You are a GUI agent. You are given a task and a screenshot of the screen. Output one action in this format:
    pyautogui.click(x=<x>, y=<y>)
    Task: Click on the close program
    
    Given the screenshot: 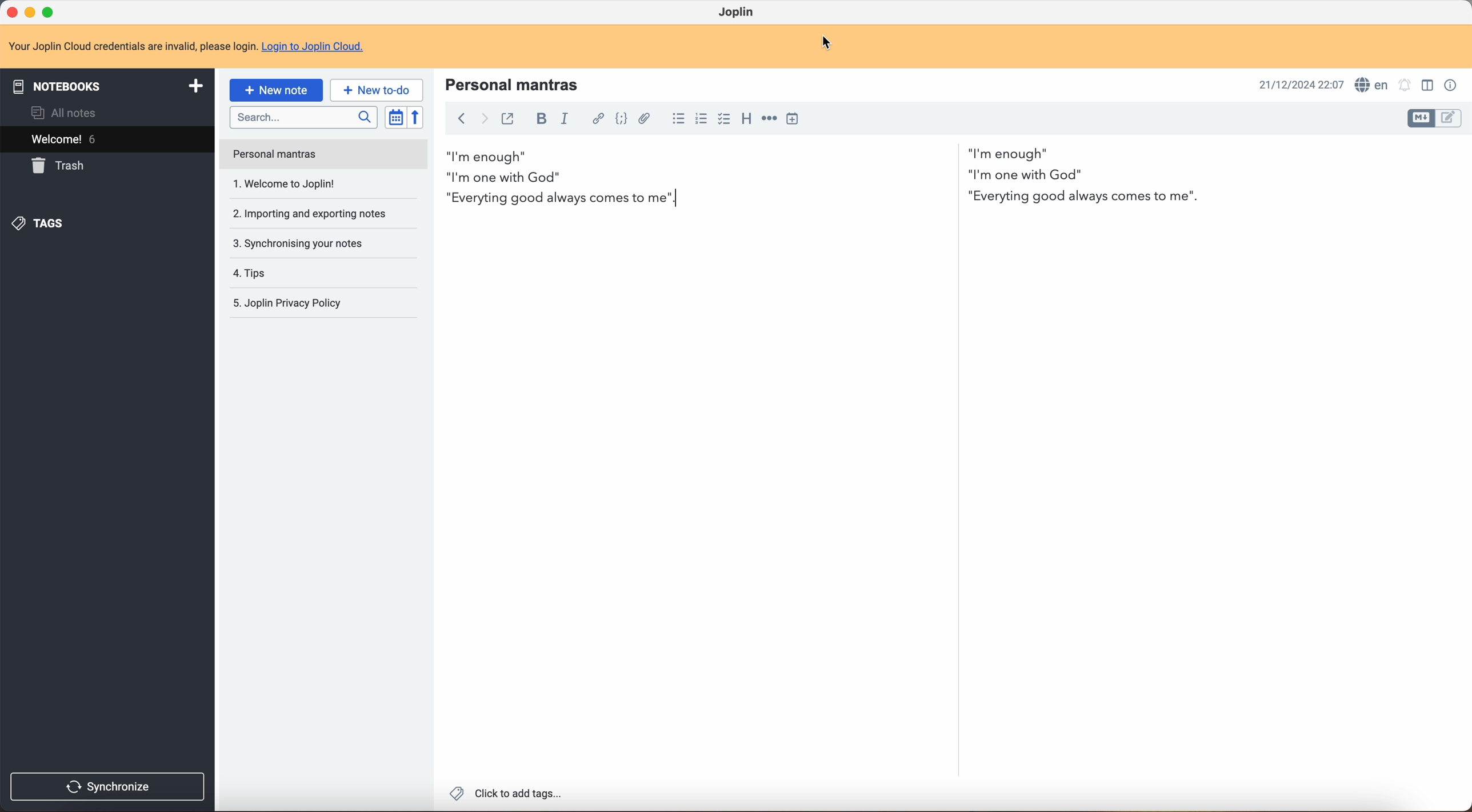 What is the action you would take?
    pyautogui.click(x=11, y=13)
    